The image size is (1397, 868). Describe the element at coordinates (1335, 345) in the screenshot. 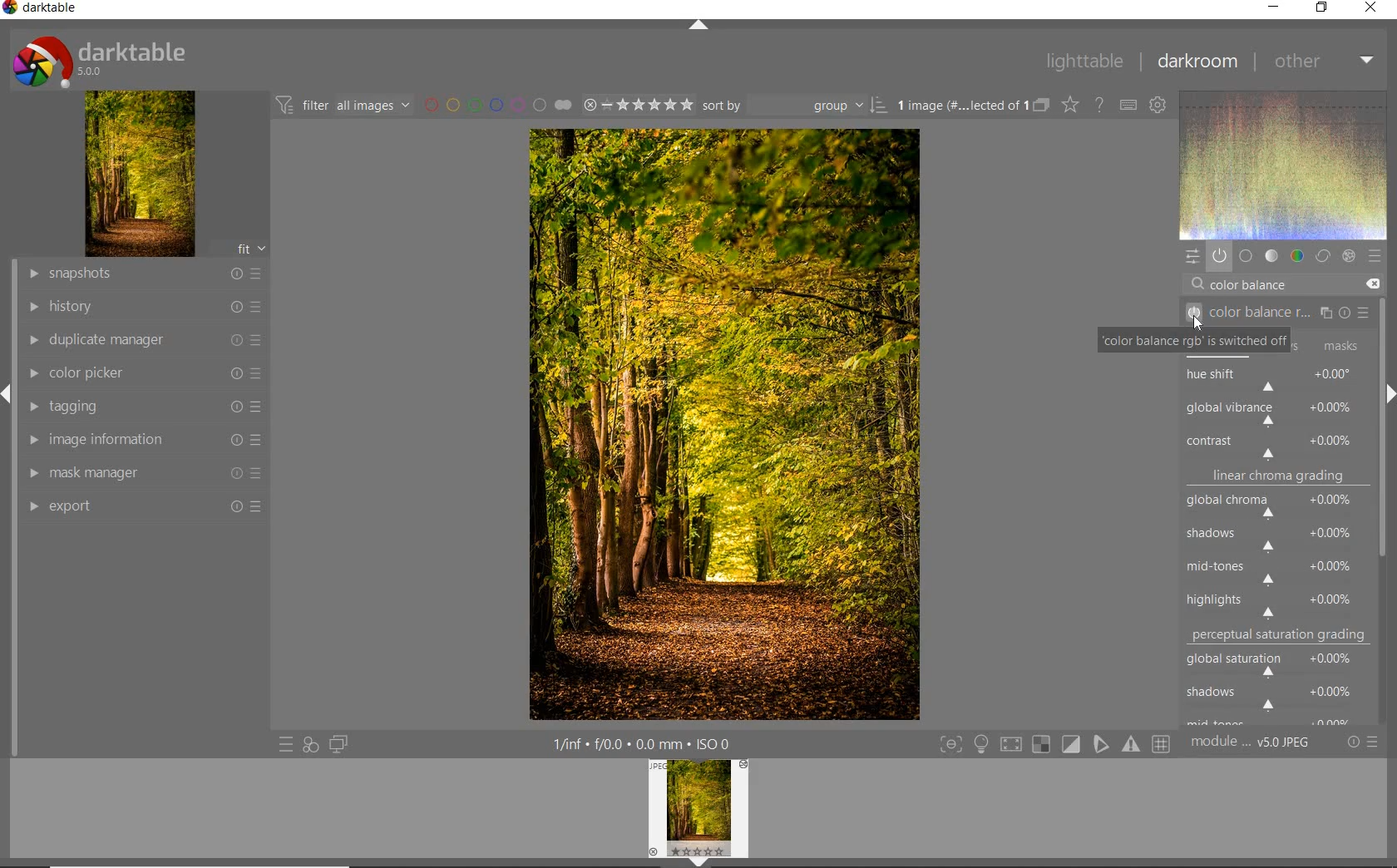

I see `framing` at that location.